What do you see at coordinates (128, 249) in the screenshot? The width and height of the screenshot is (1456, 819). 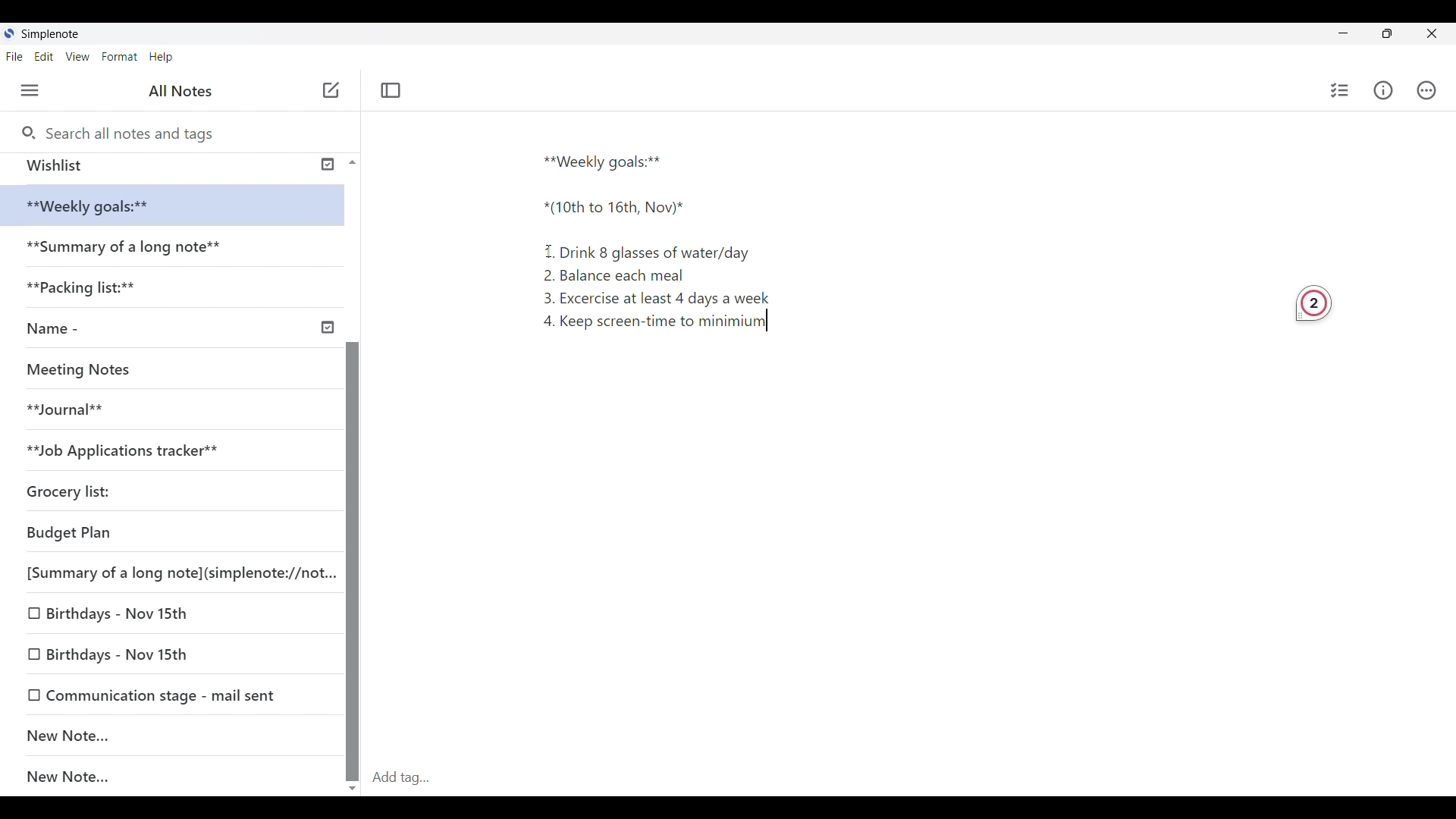 I see `**Summary of a long note**` at bounding box center [128, 249].